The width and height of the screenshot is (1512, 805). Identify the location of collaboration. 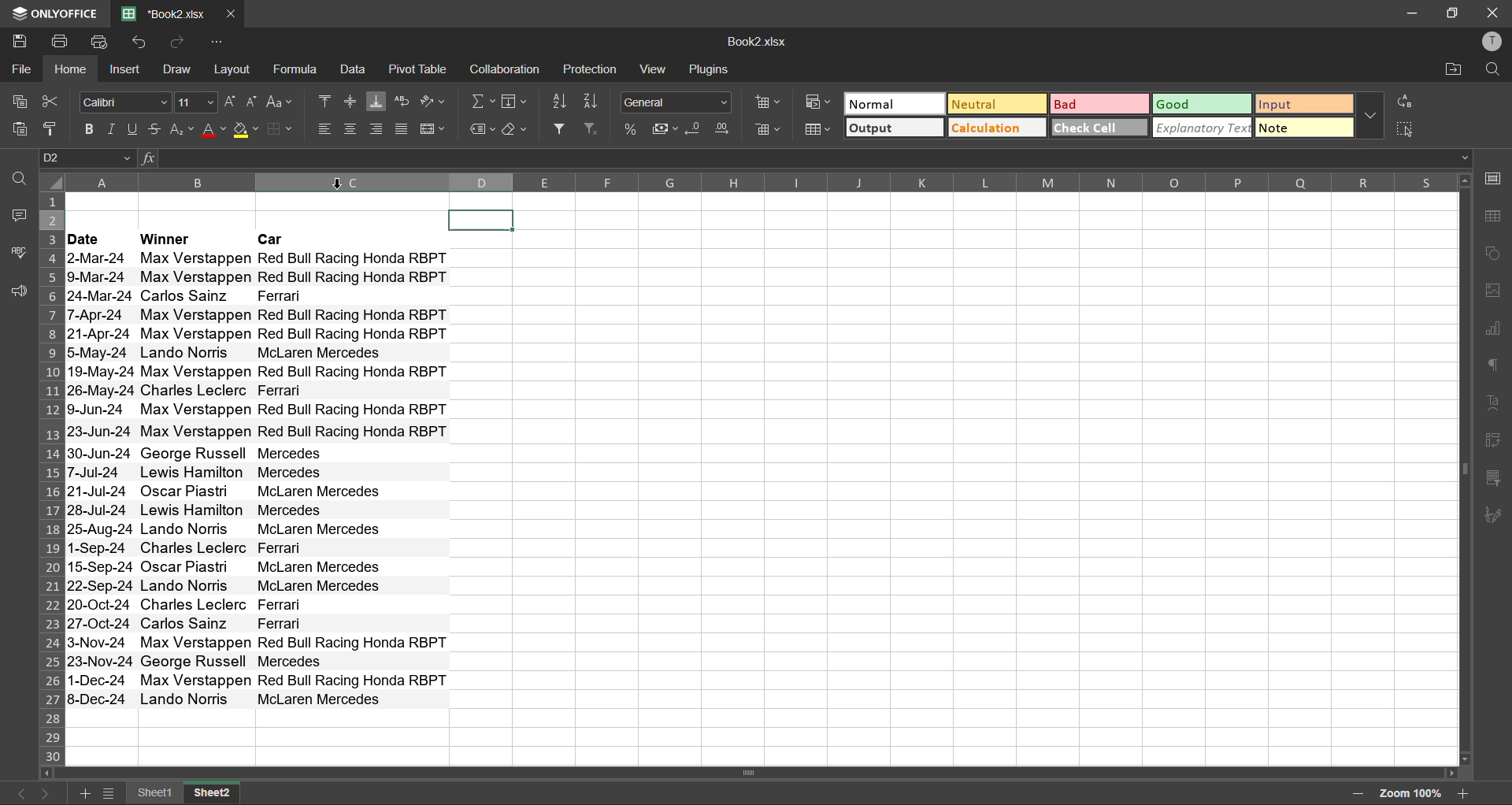
(509, 72).